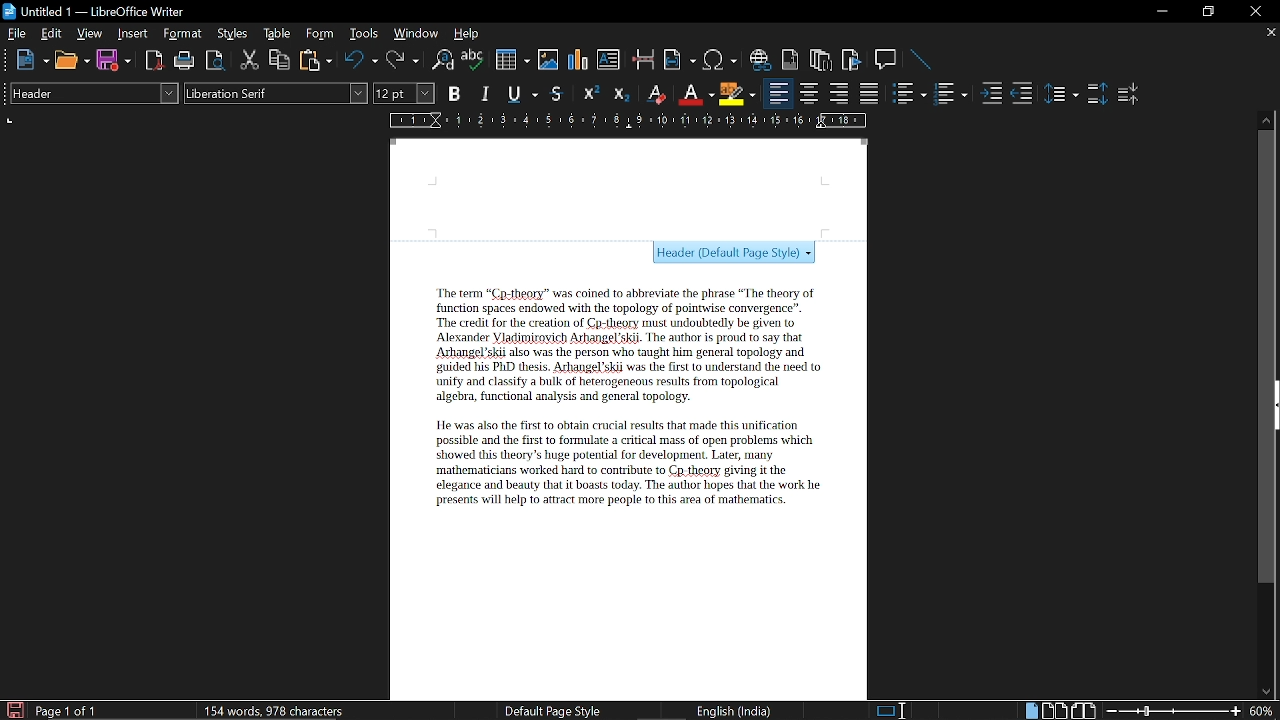 This screenshot has width=1280, height=720. What do you see at coordinates (722, 60) in the screenshot?
I see `Insert symbol` at bounding box center [722, 60].